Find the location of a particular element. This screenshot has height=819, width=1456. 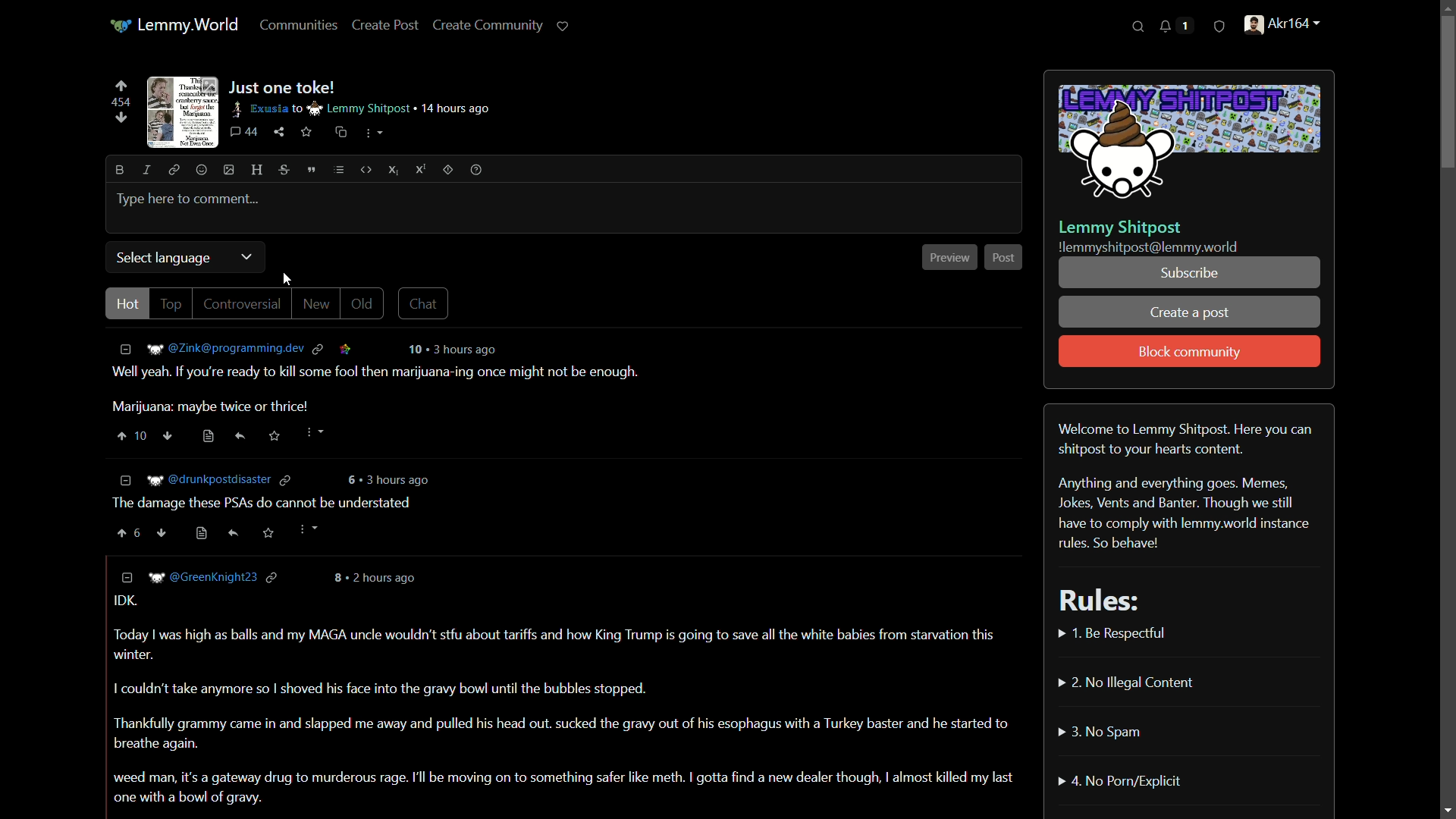

cursor is located at coordinates (284, 281).